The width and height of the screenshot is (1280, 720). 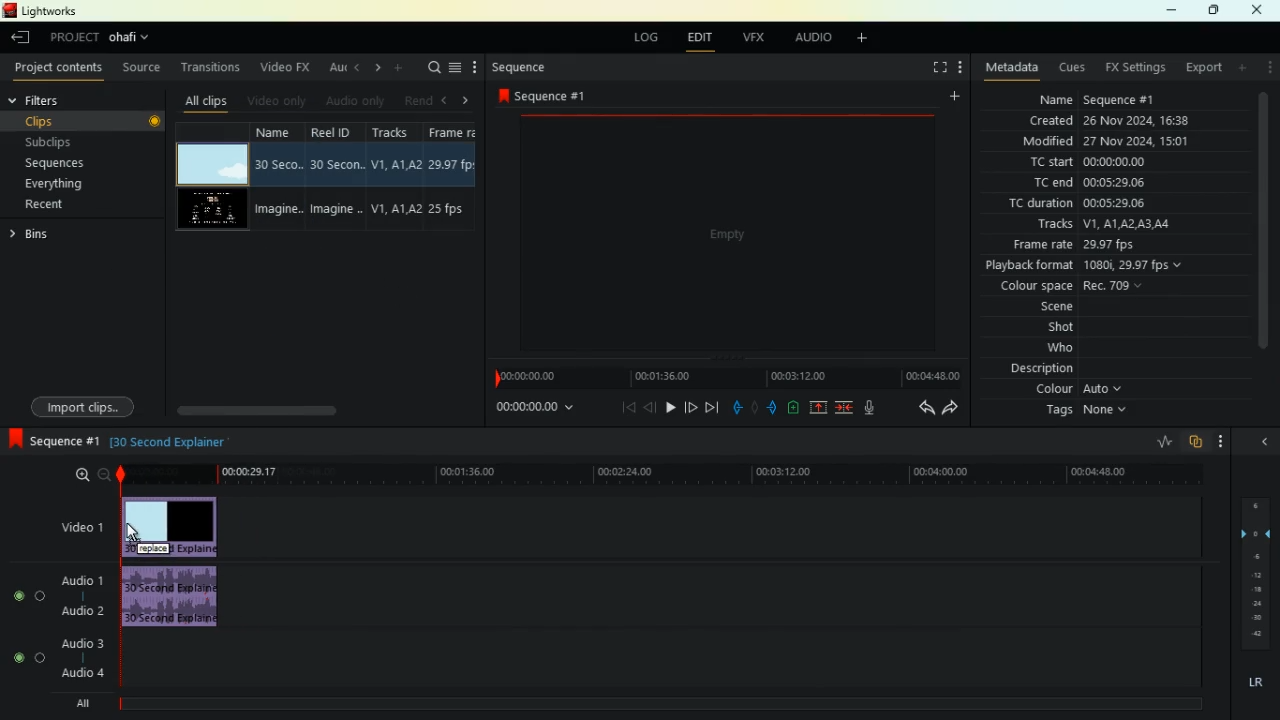 I want to click on end, so click(x=712, y=406).